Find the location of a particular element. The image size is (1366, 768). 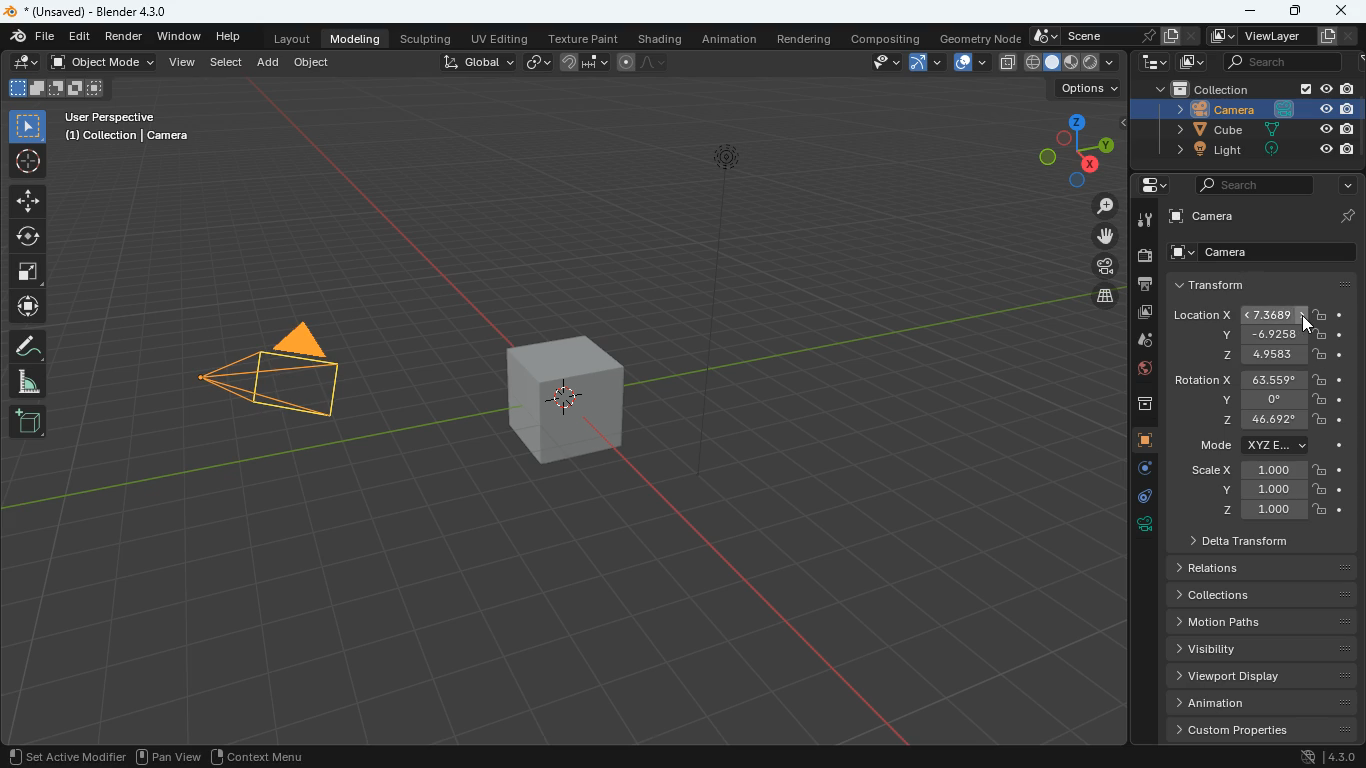

arrow is located at coordinates (1347, 185).